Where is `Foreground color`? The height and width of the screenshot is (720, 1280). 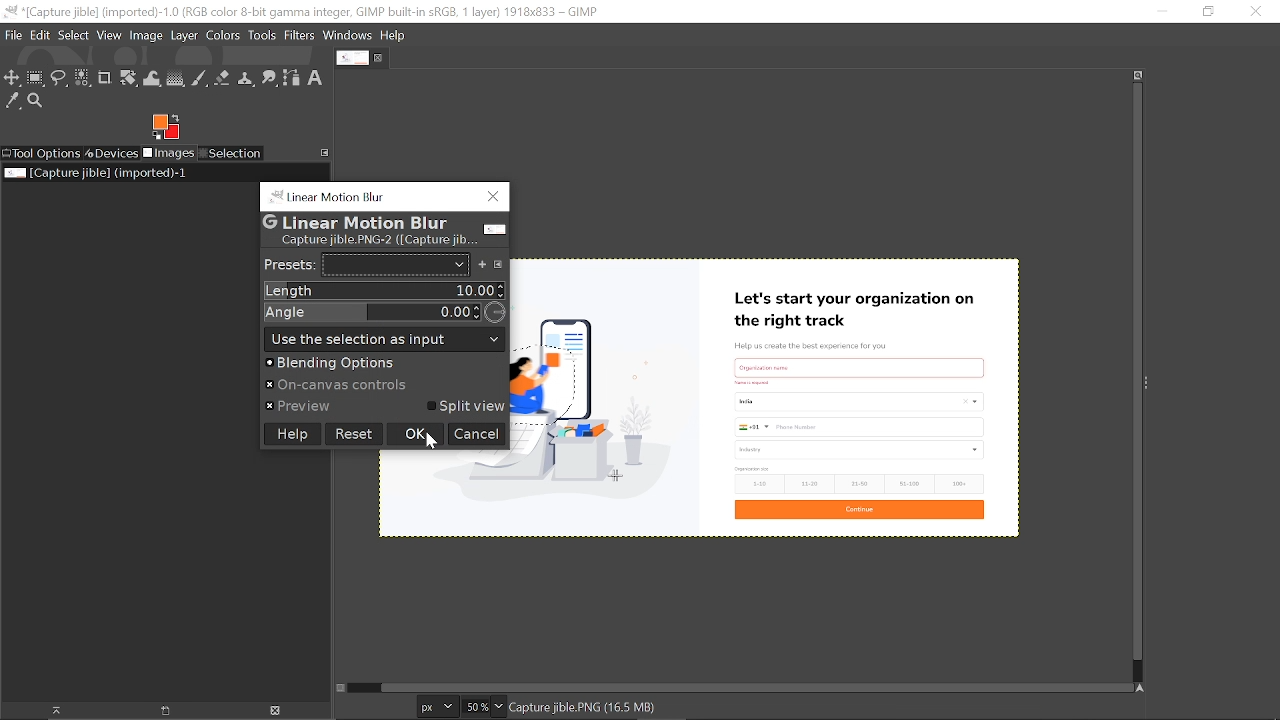 Foreground color is located at coordinates (166, 127).